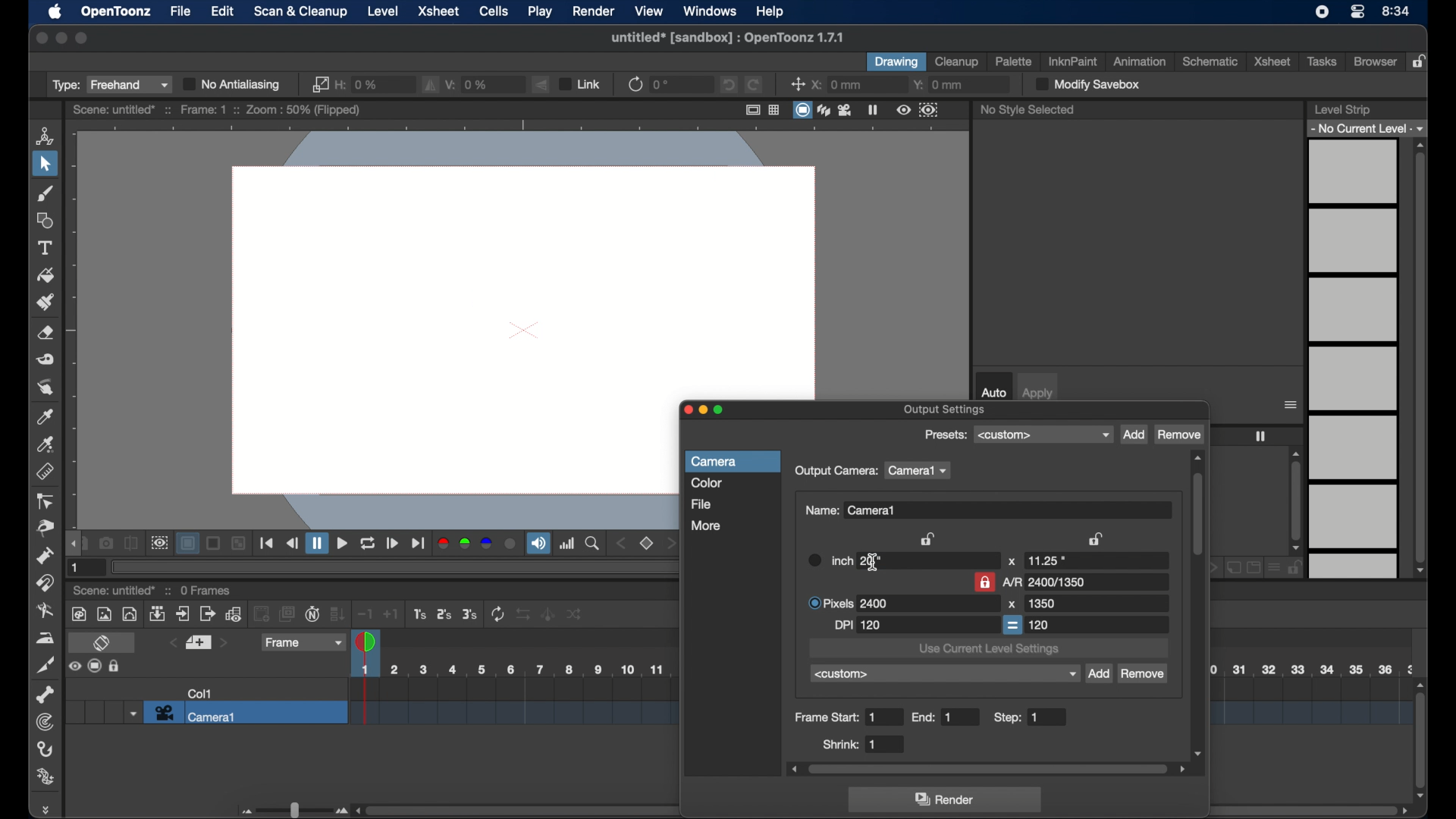  What do you see at coordinates (1012, 604) in the screenshot?
I see `x` at bounding box center [1012, 604].